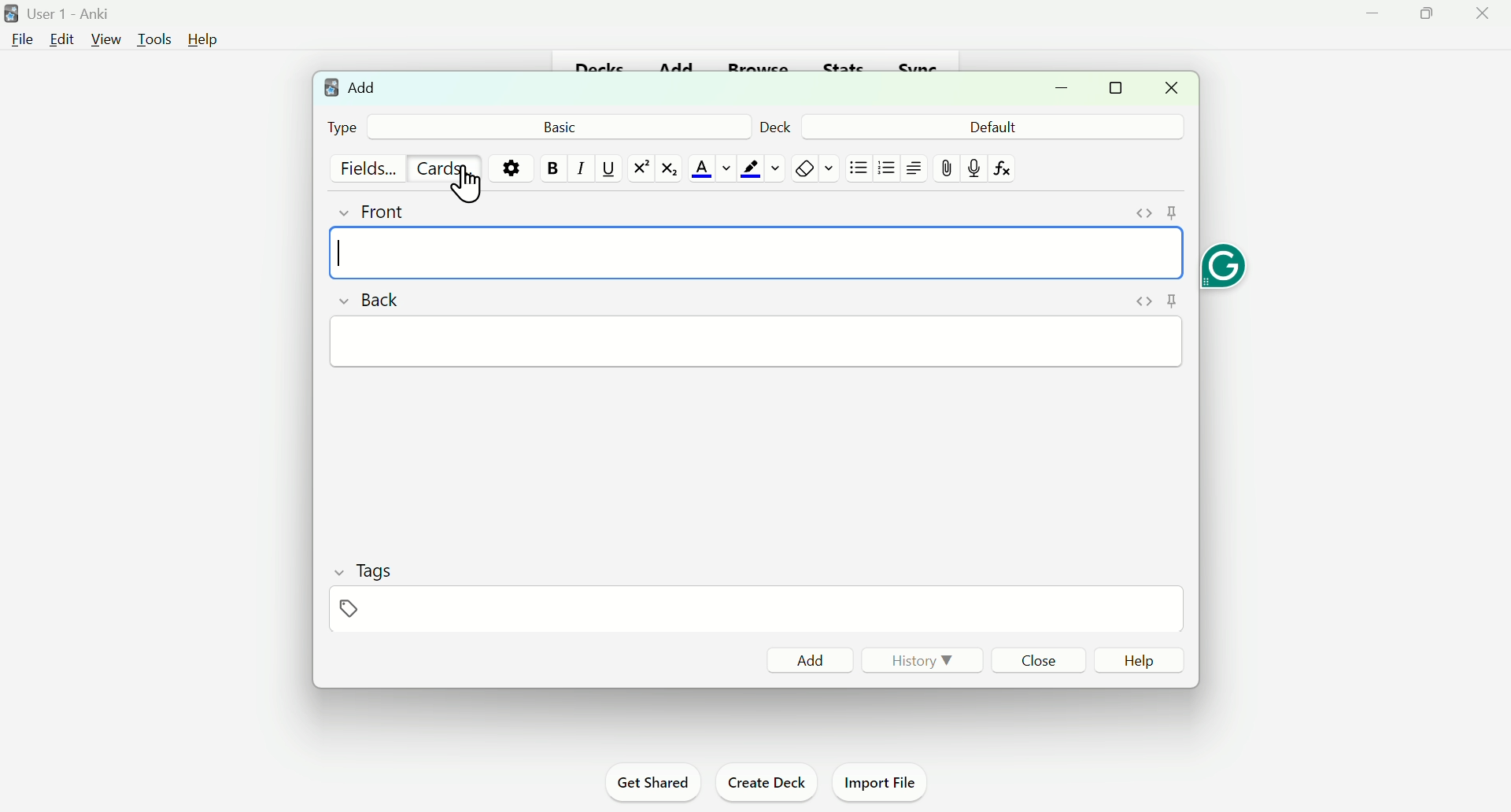 This screenshot has width=1511, height=812. I want to click on Browse, so click(758, 66).